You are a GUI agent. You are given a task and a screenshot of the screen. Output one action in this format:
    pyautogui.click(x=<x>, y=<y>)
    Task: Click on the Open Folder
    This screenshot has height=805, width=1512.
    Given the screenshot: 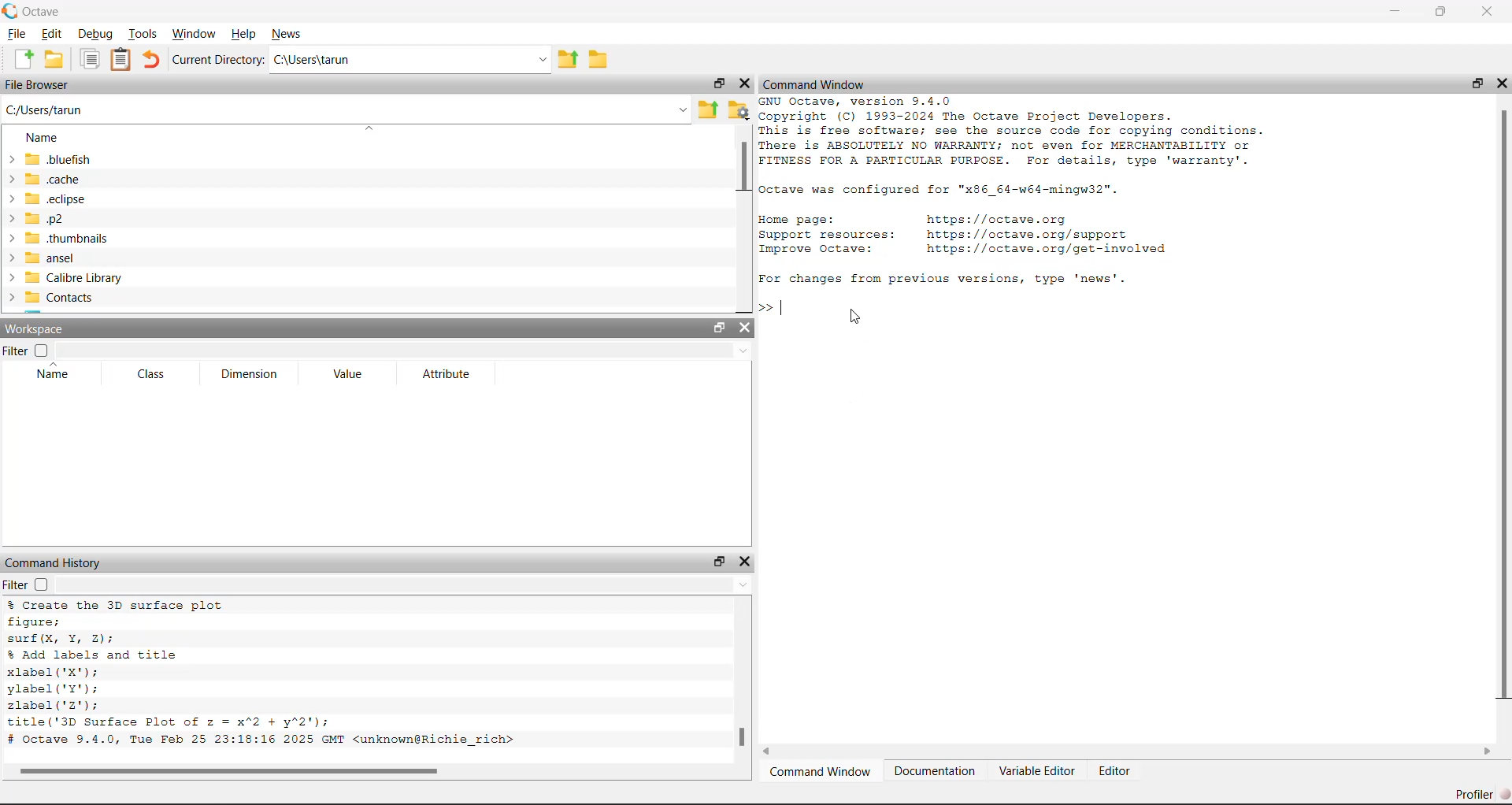 What is the action you would take?
    pyautogui.click(x=56, y=59)
    